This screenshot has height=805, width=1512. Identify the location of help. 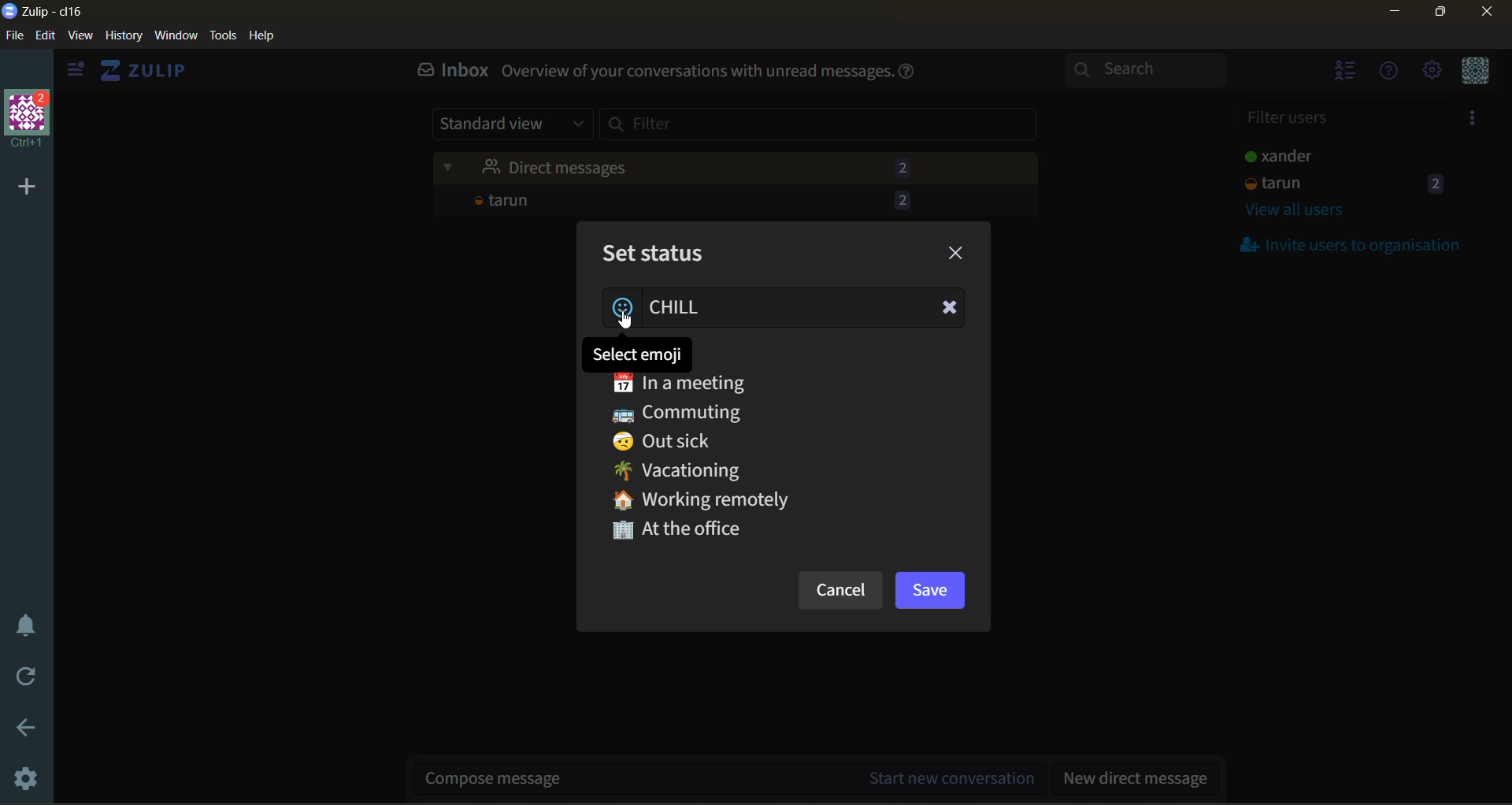
(910, 70).